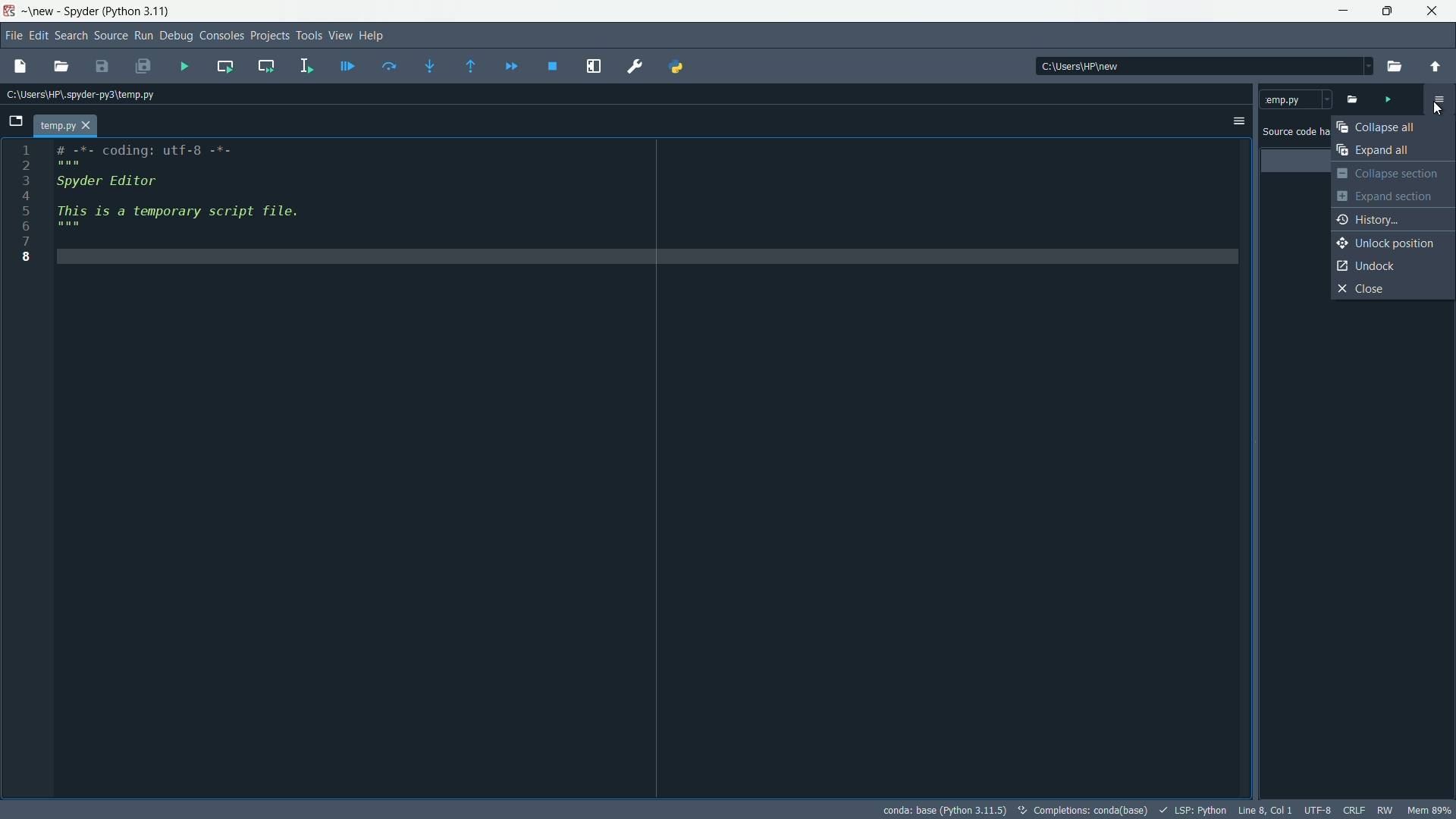  I want to click on run file, so click(184, 66).